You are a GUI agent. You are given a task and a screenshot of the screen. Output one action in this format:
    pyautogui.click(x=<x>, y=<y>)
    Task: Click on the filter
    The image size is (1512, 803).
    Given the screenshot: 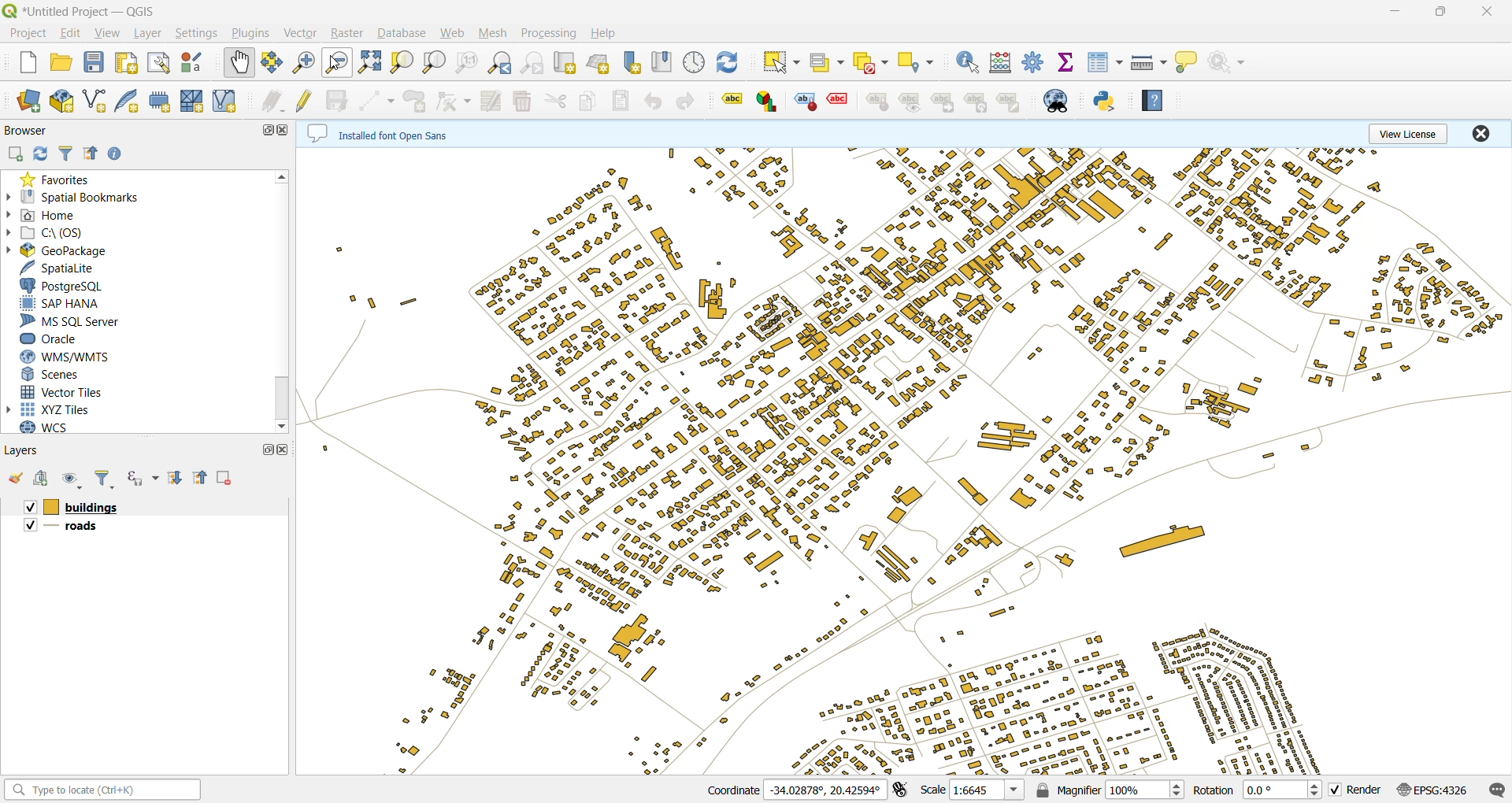 What is the action you would take?
    pyautogui.click(x=105, y=478)
    